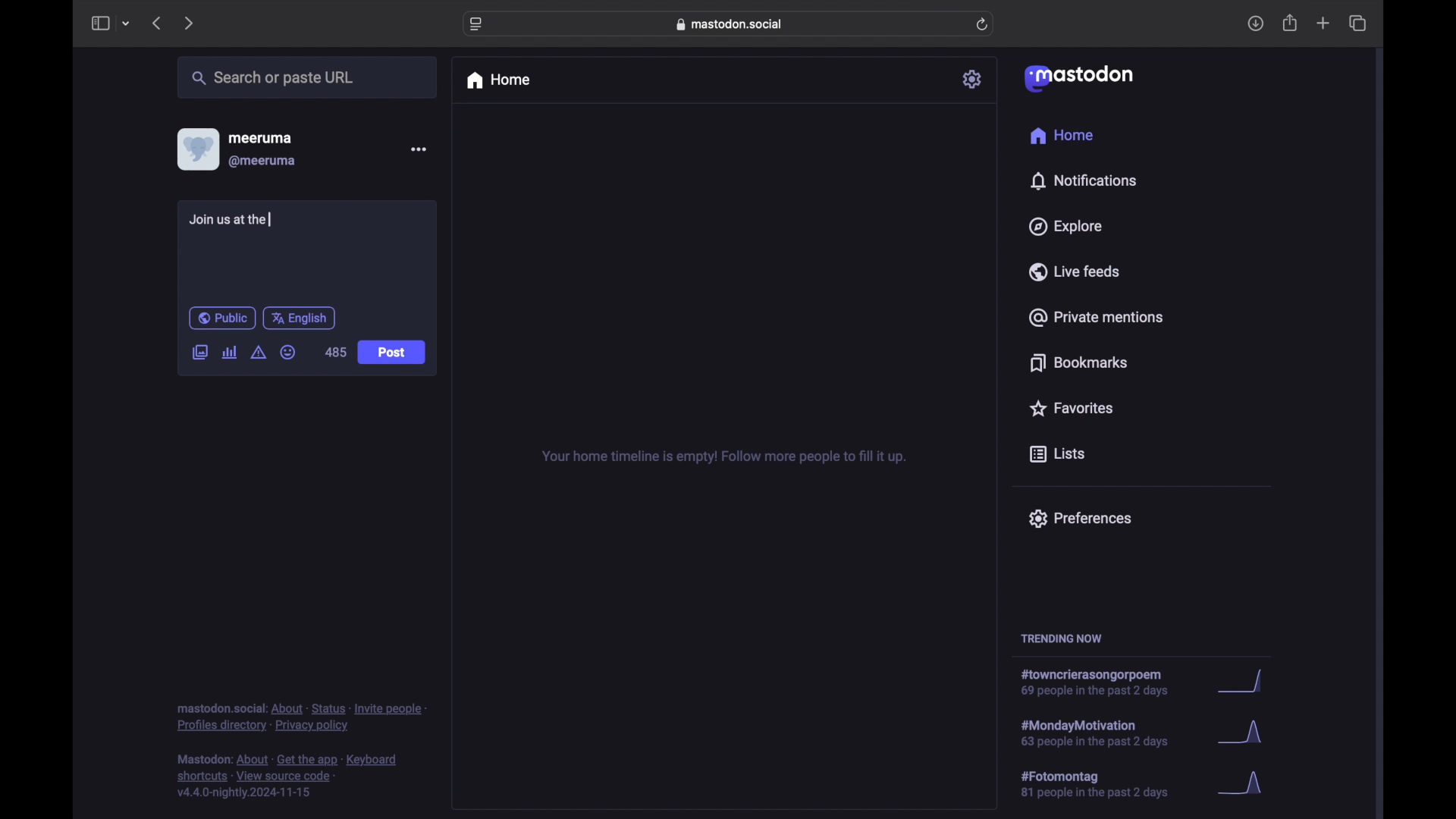 This screenshot has width=1456, height=819. What do you see at coordinates (260, 137) in the screenshot?
I see `meeruma` at bounding box center [260, 137].